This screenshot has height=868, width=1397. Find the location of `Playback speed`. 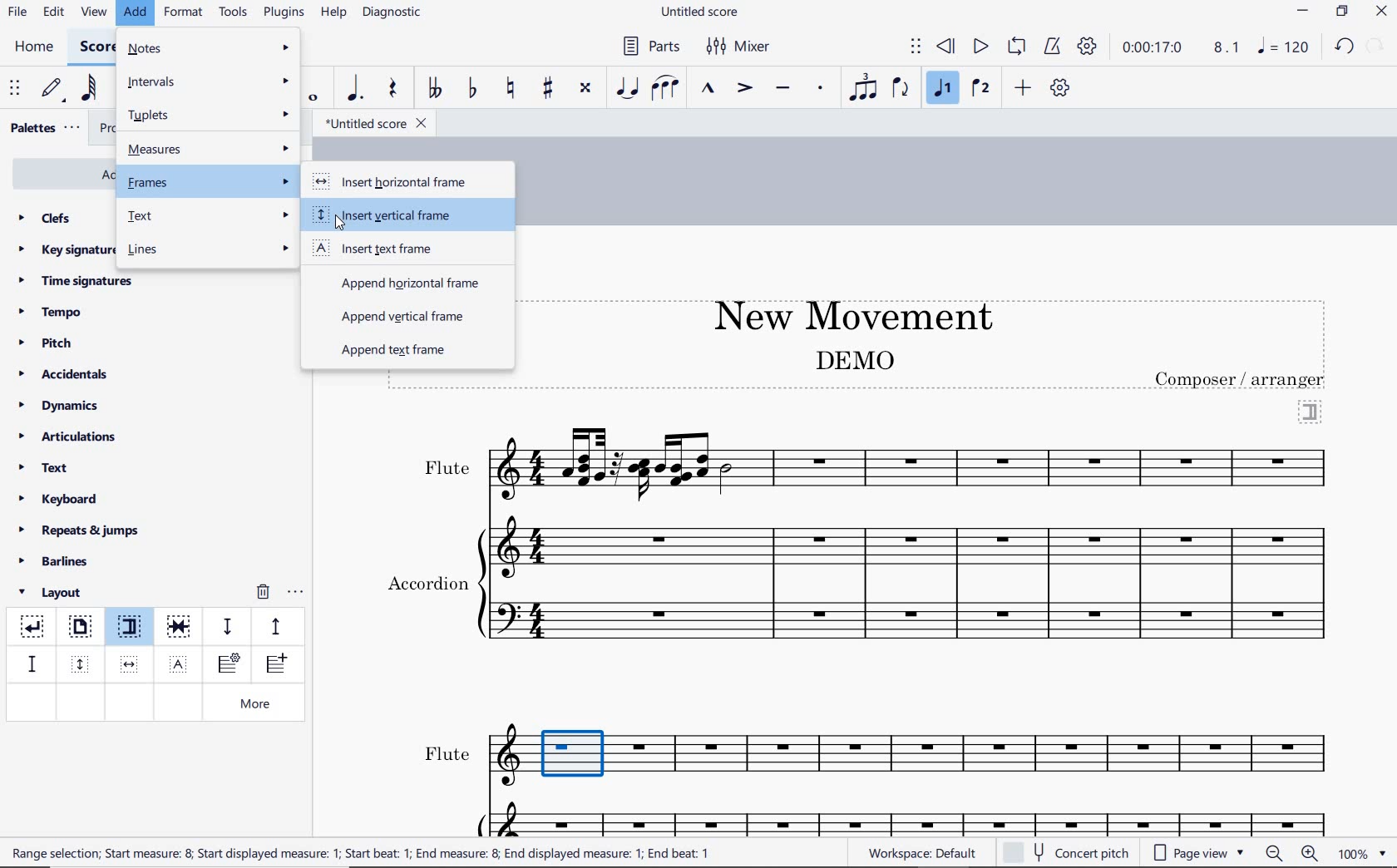

Playback speed is located at coordinates (1228, 48).